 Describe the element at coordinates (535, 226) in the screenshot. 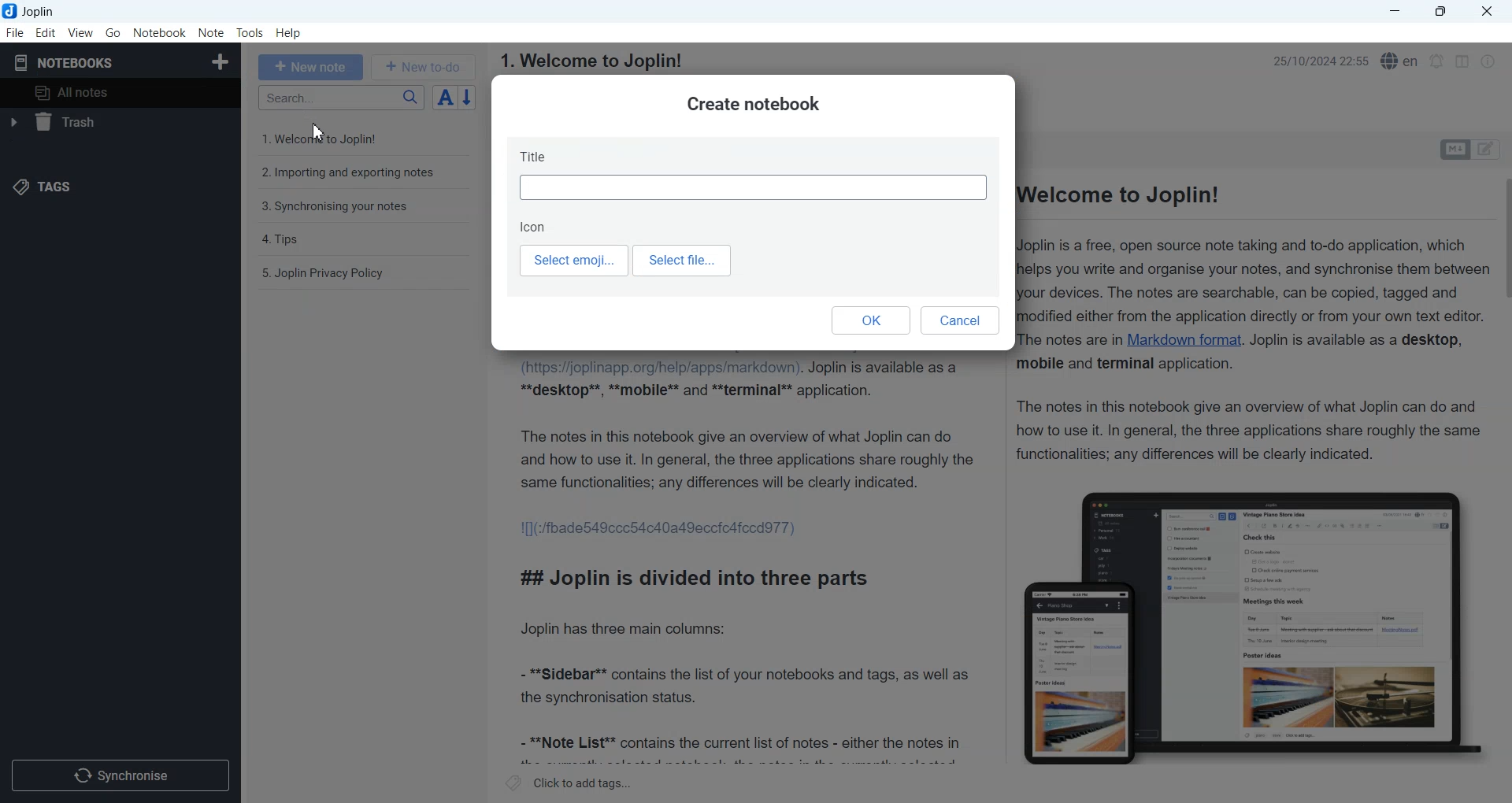

I see `icon` at that location.